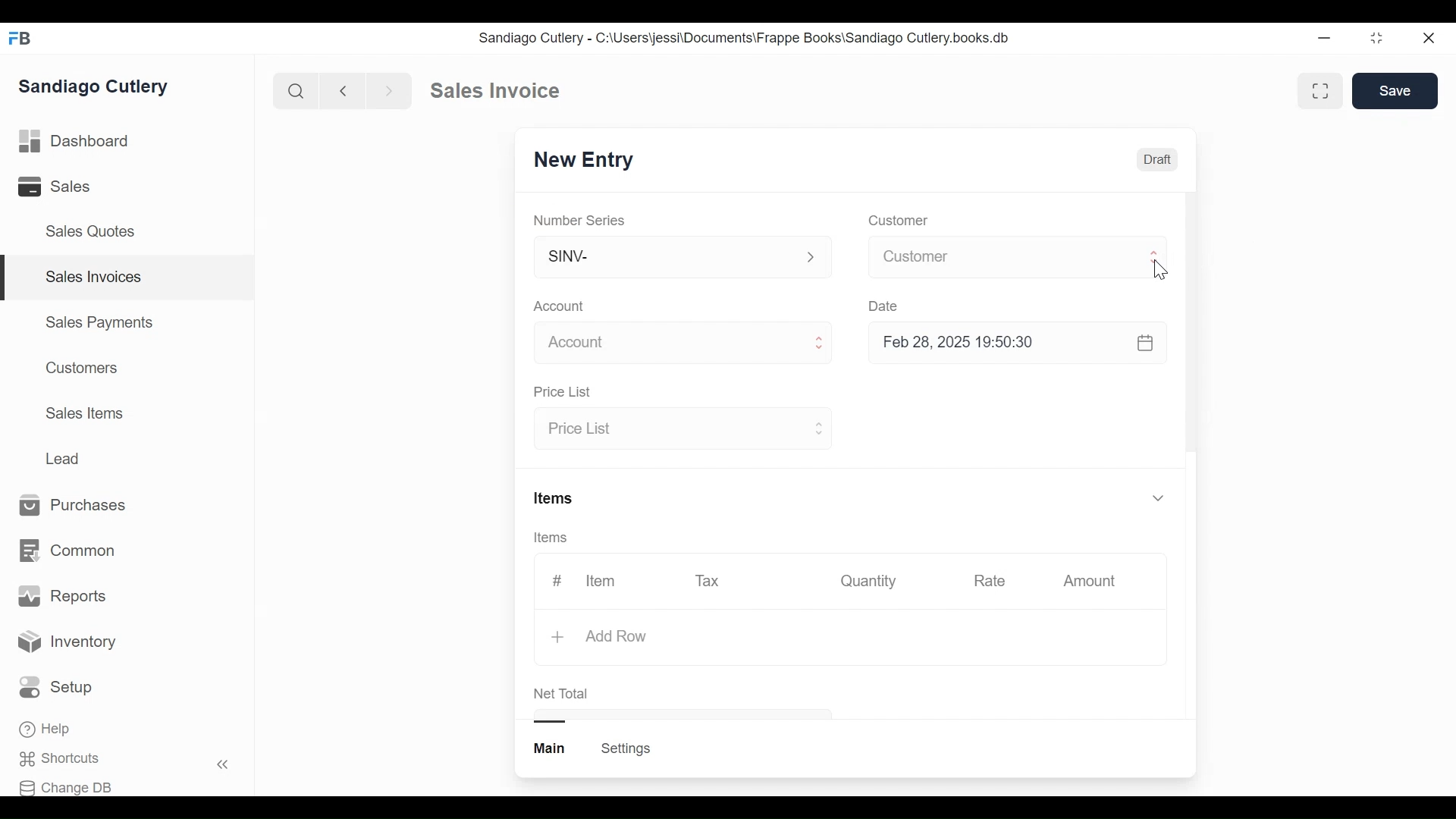 This screenshot has height=819, width=1456. I want to click on Lead, so click(64, 457).